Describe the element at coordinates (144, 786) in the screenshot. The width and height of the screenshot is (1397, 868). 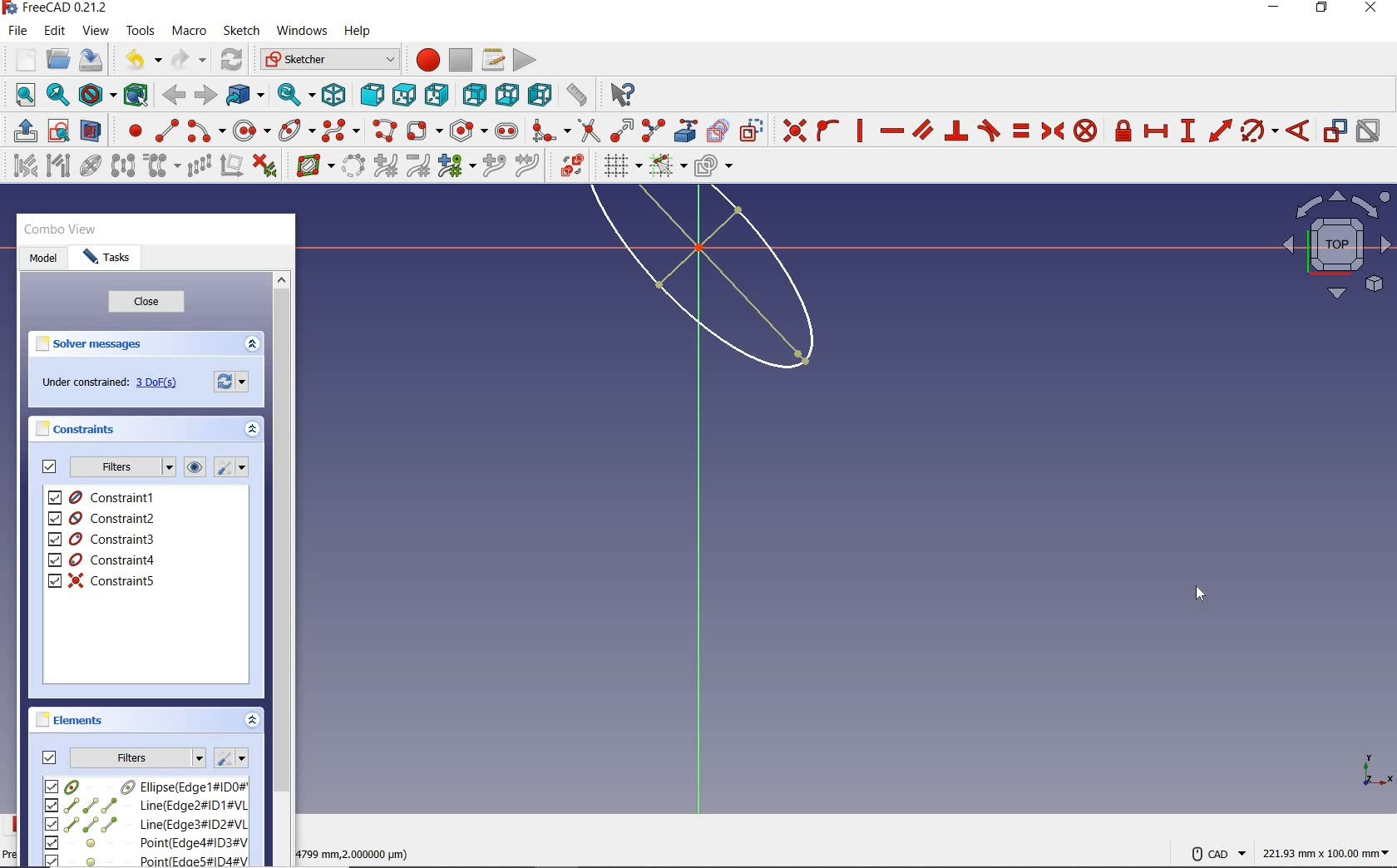
I see `element1` at that location.